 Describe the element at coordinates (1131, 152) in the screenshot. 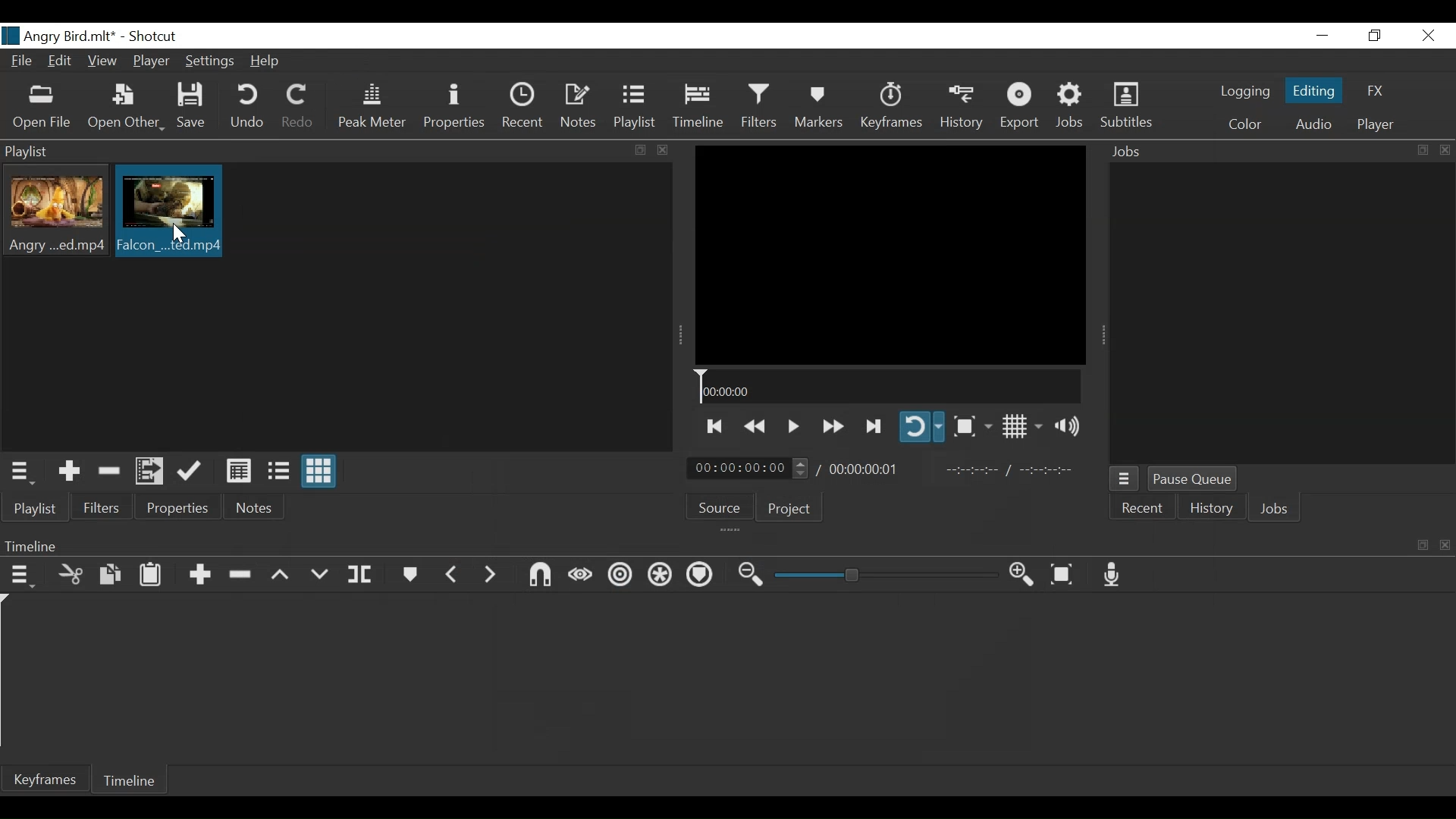

I see `Jobs` at that location.